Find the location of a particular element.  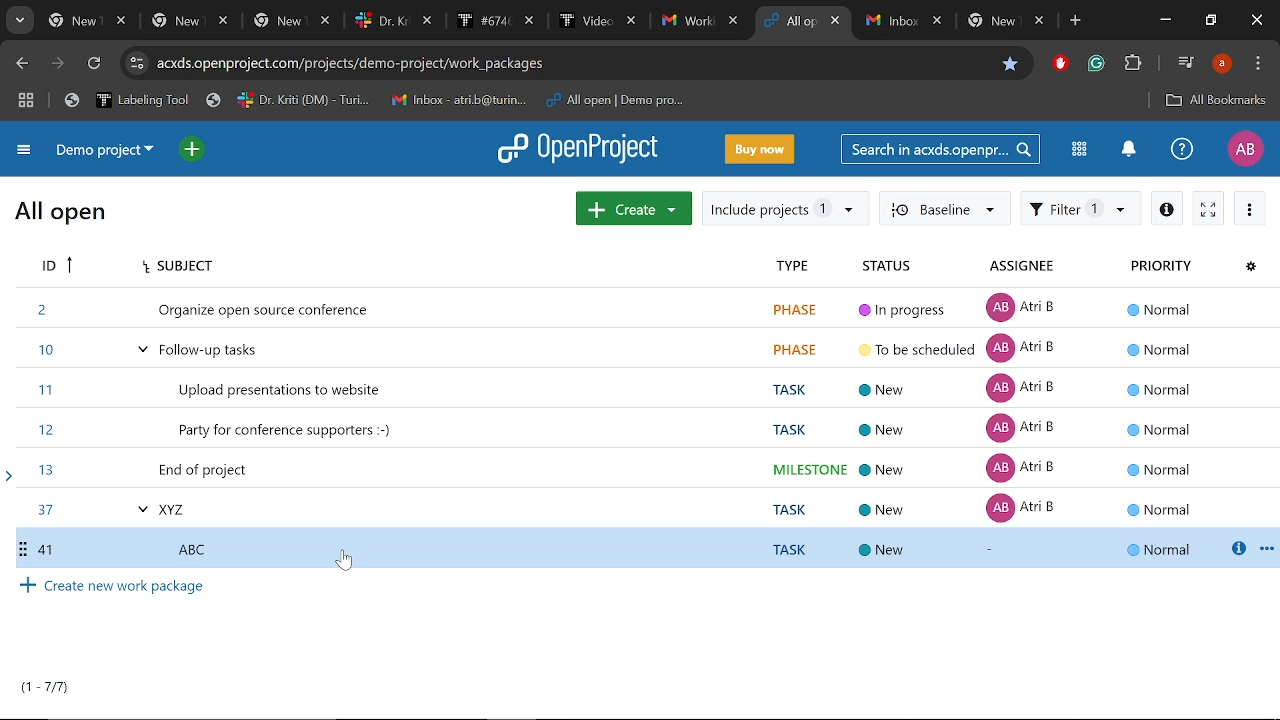

Control your music, videos and more is located at coordinates (1184, 63).